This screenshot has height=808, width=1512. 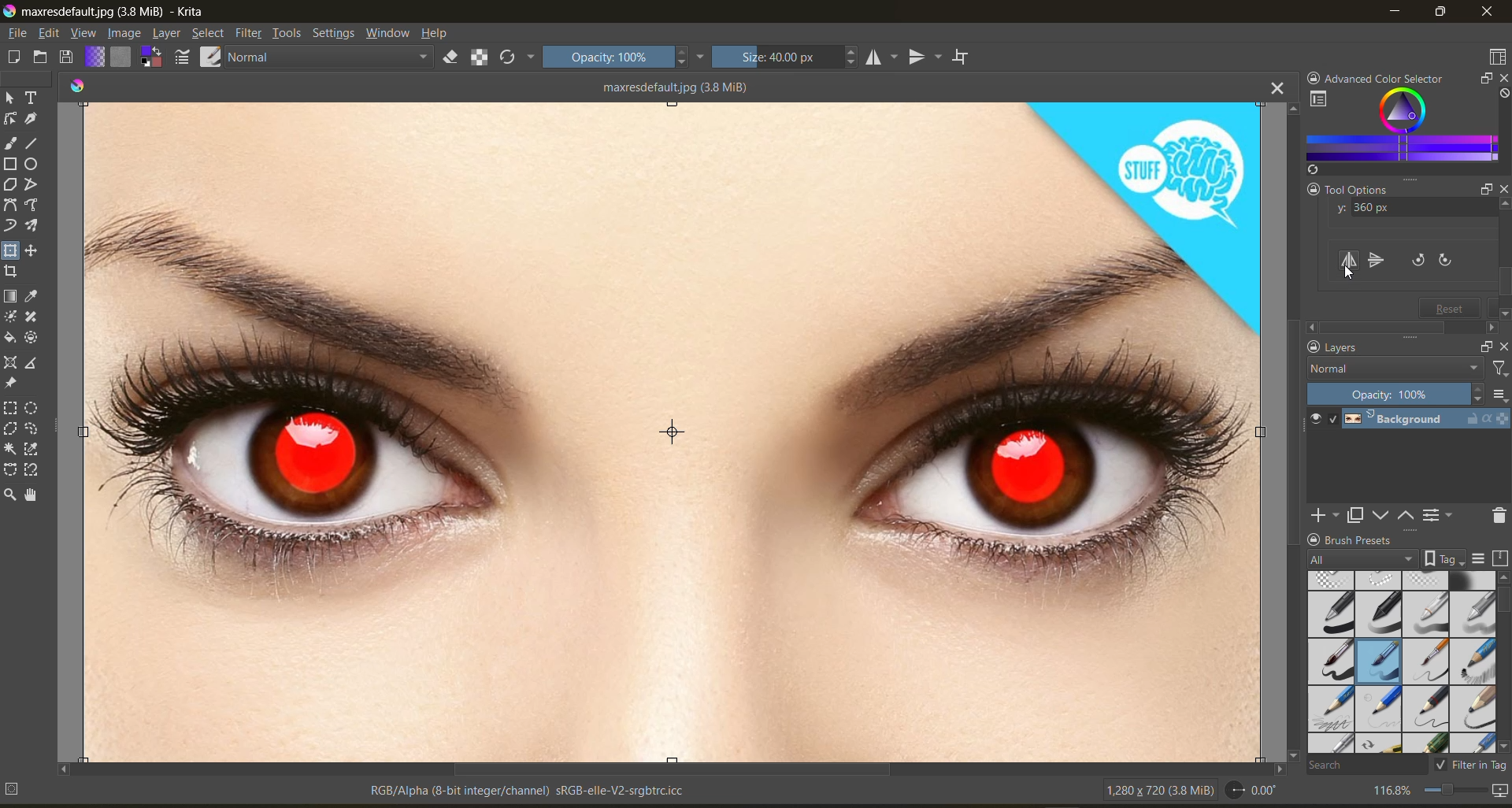 I want to click on wrap around mode, so click(x=966, y=57).